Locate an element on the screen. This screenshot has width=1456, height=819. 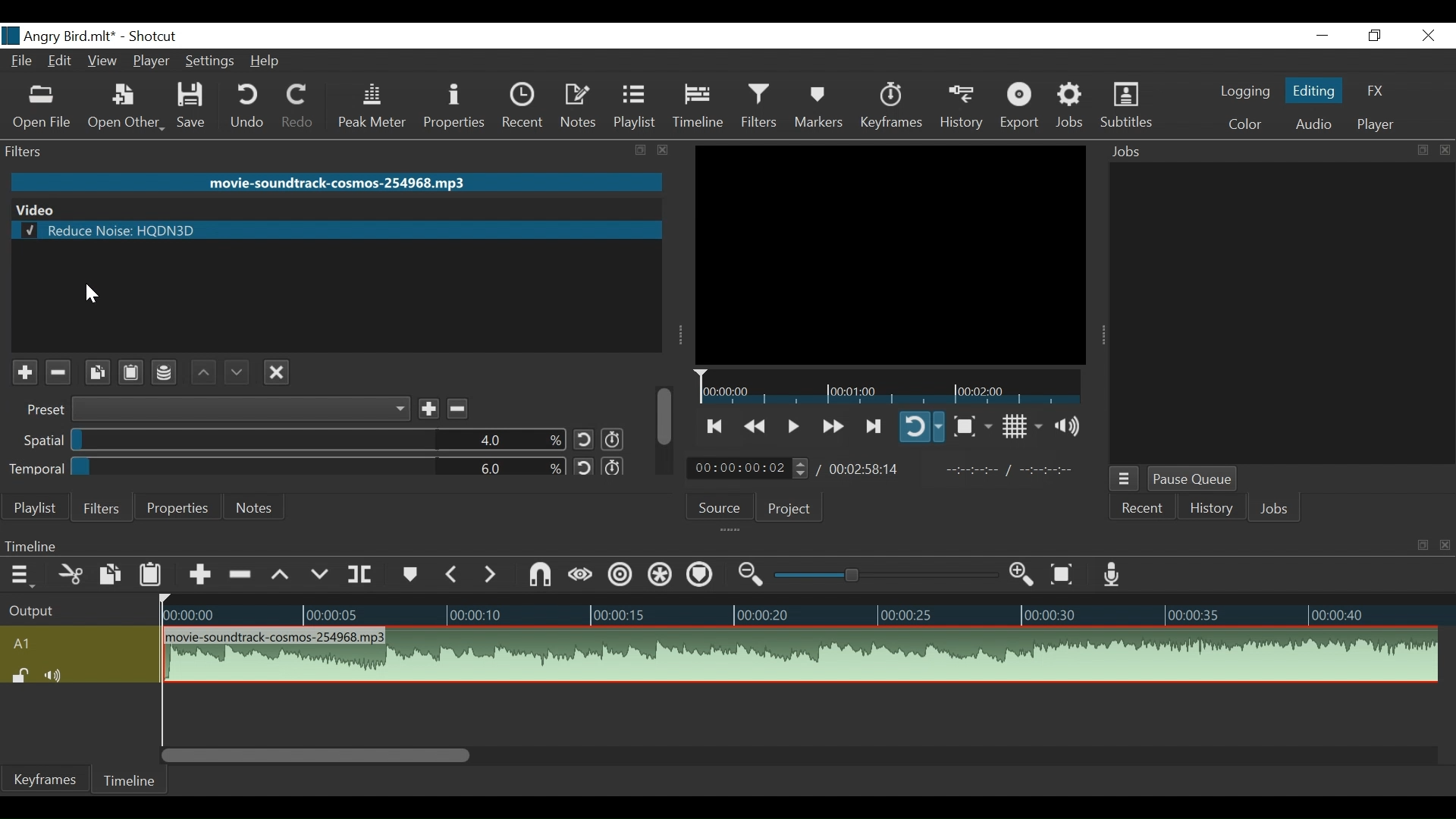
Move filter down is located at coordinates (239, 372).